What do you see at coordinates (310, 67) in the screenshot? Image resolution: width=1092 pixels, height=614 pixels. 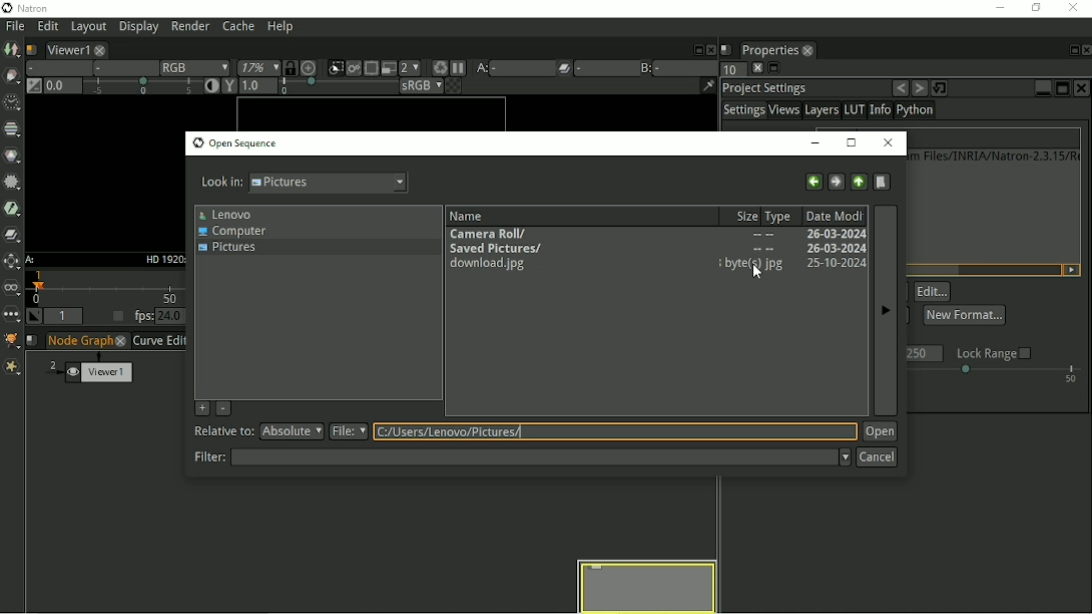 I see `Scale image` at bounding box center [310, 67].